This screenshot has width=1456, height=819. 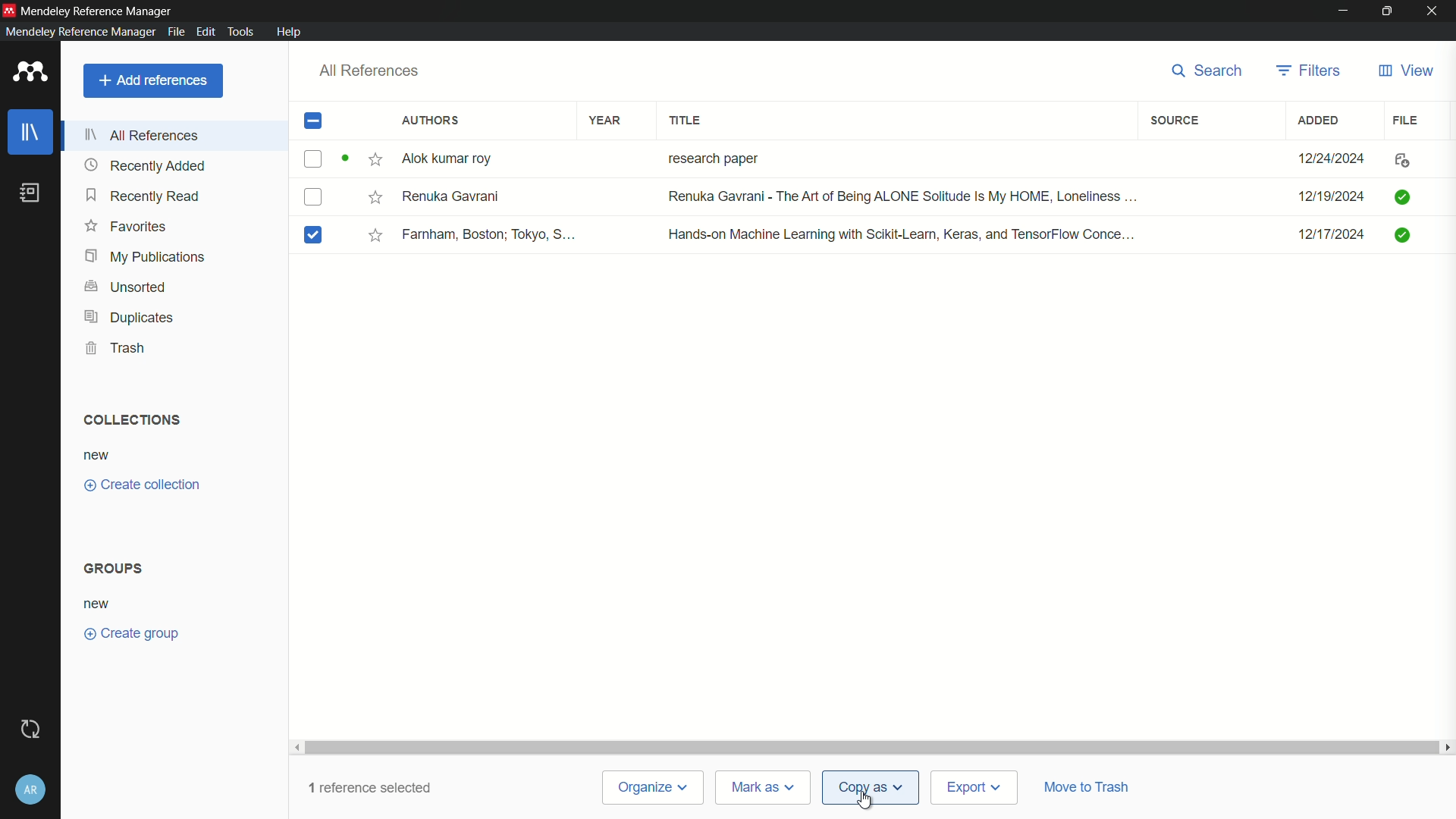 What do you see at coordinates (1404, 195) in the screenshot?
I see `FIle uploaded` at bounding box center [1404, 195].